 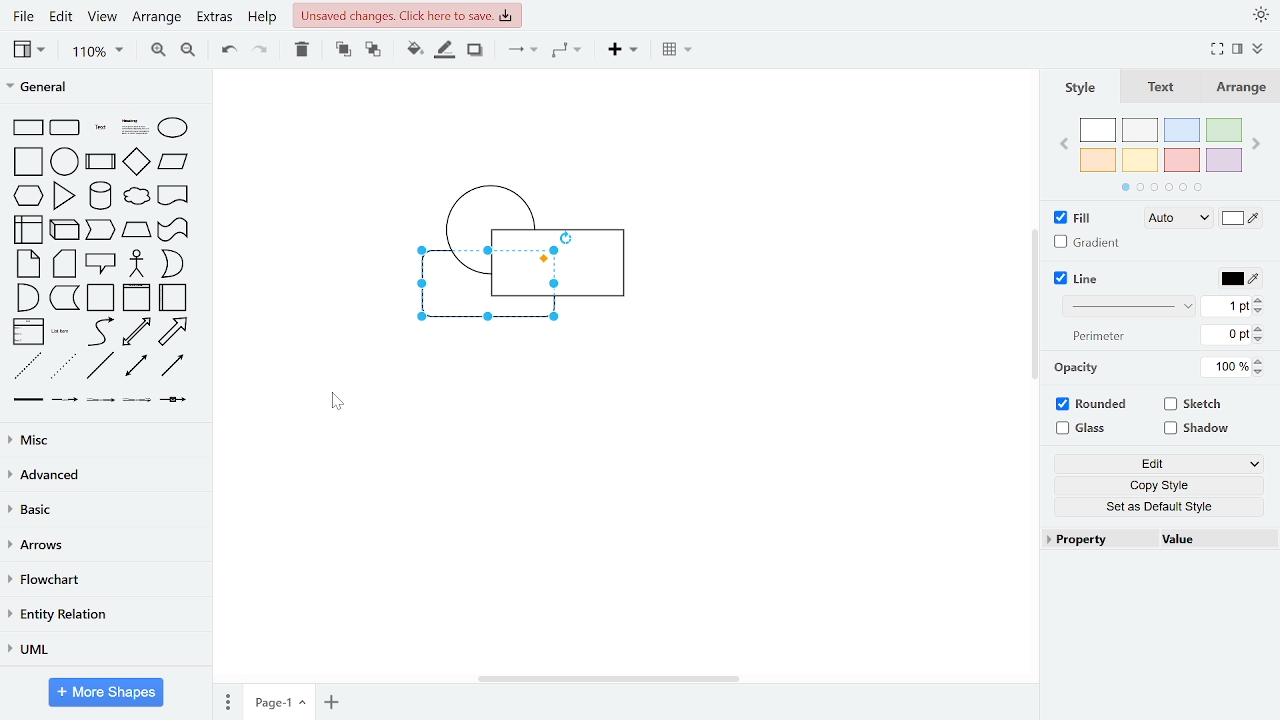 What do you see at coordinates (102, 366) in the screenshot?
I see `line` at bounding box center [102, 366].